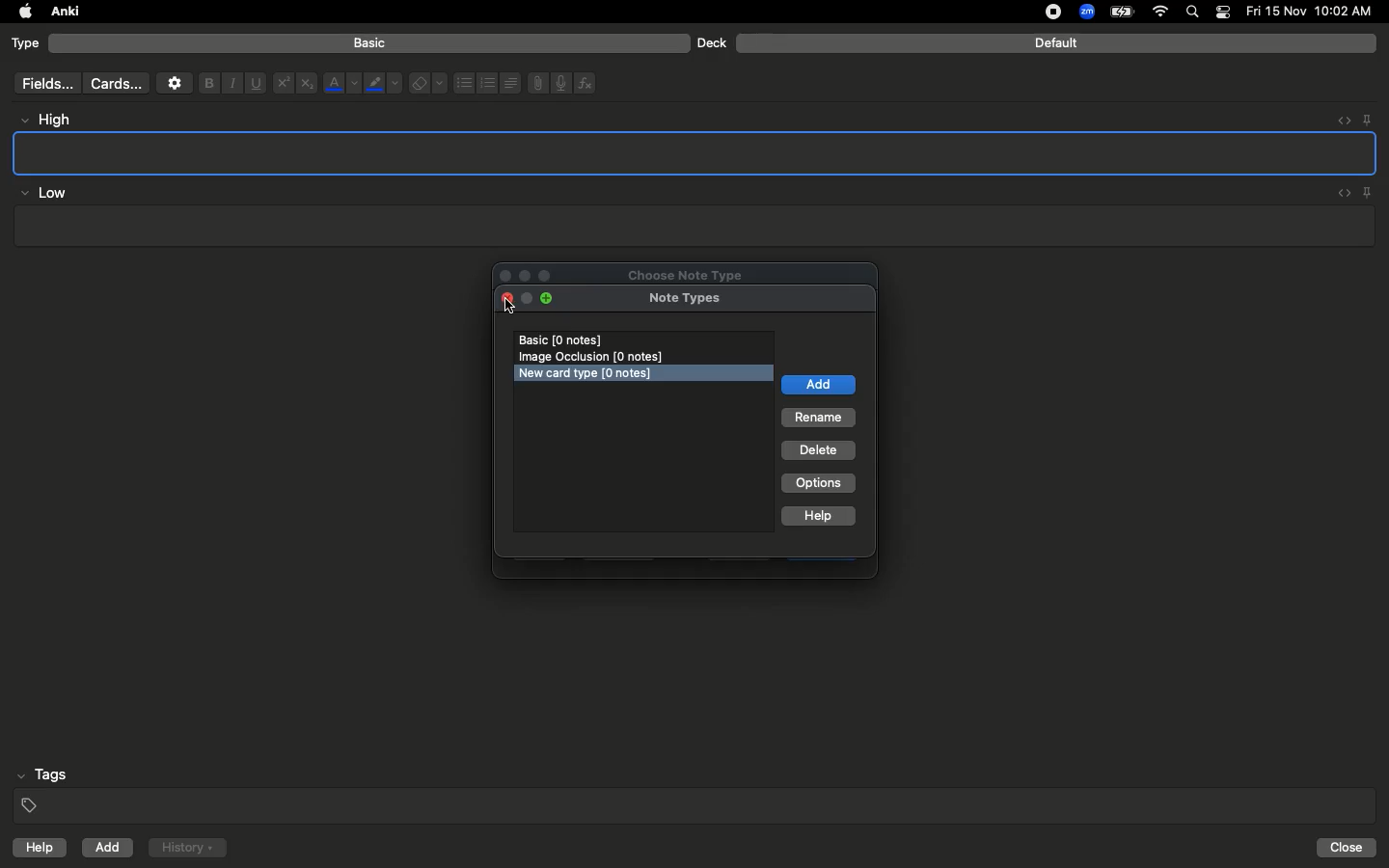  I want to click on Charge, so click(1121, 12).